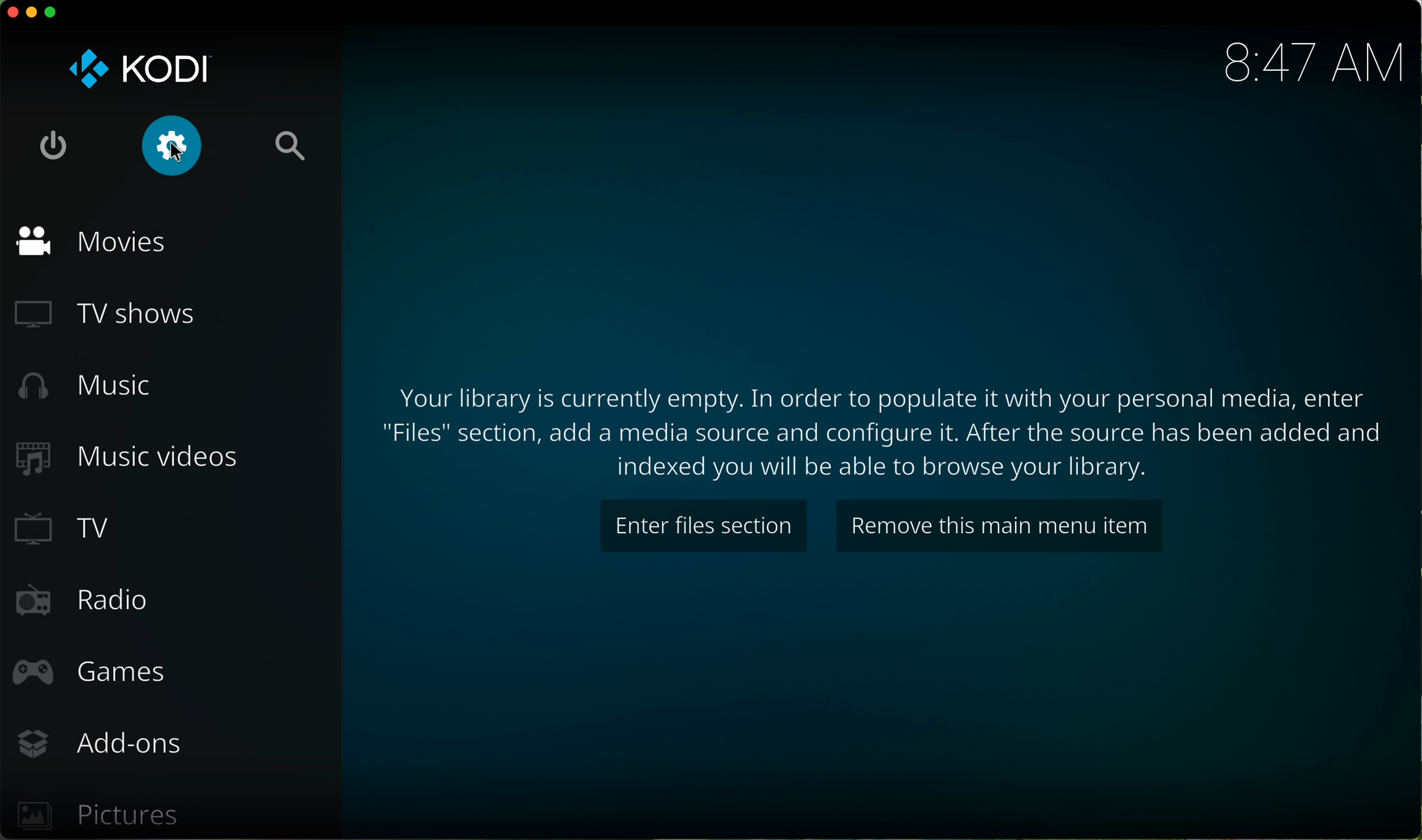  What do you see at coordinates (33, 12) in the screenshot?
I see `minimize` at bounding box center [33, 12].